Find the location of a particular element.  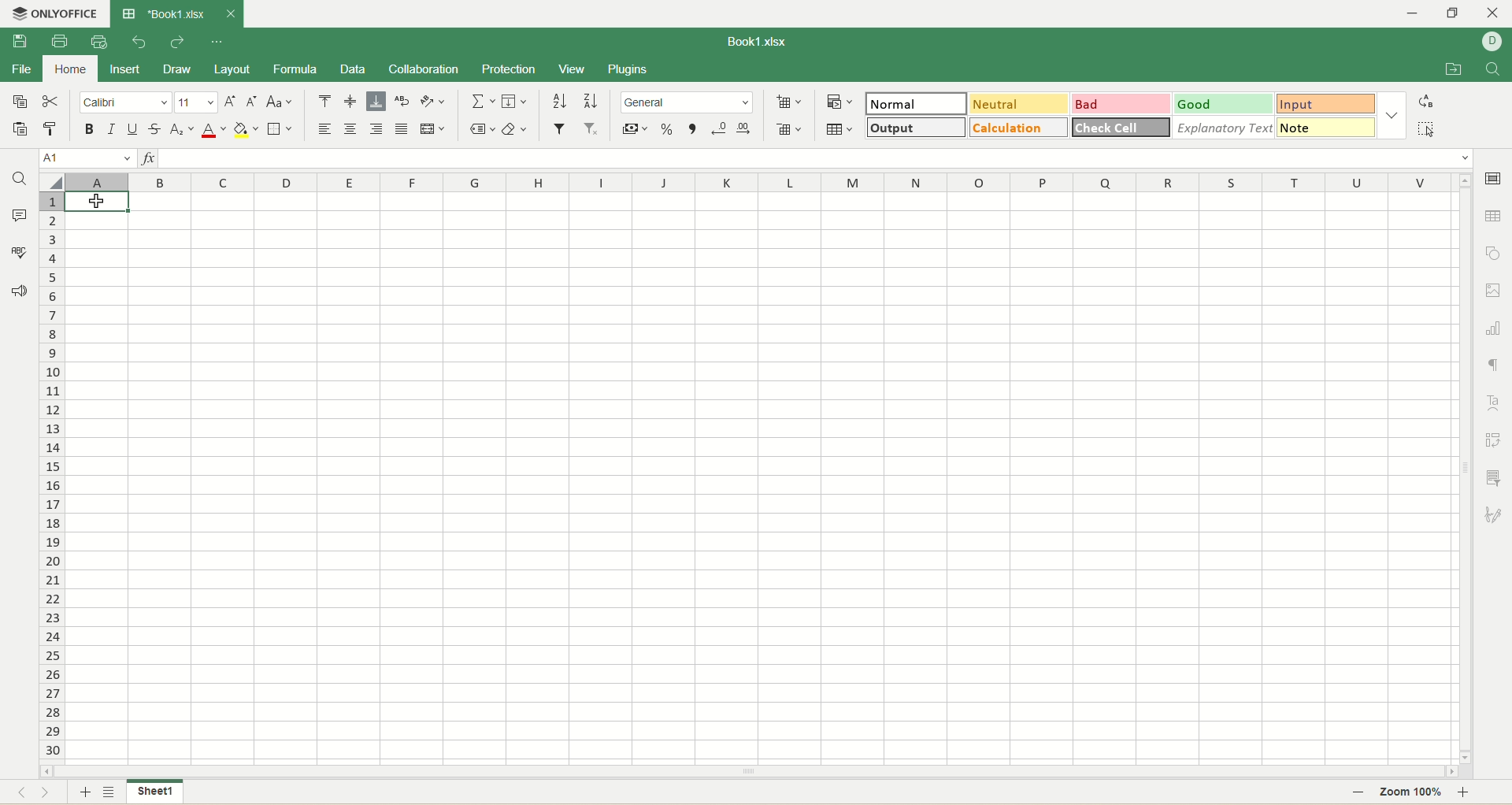

percent format is located at coordinates (667, 127).